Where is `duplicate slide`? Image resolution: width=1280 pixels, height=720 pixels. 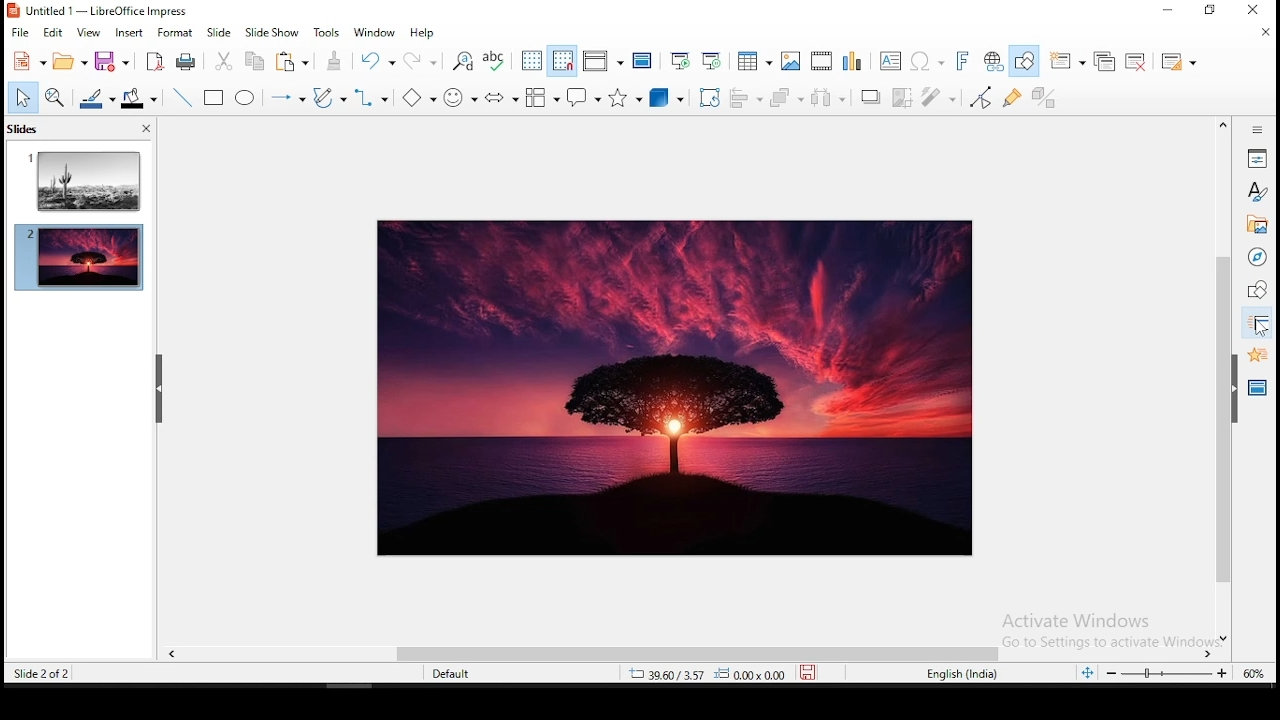 duplicate slide is located at coordinates (1108, 58).